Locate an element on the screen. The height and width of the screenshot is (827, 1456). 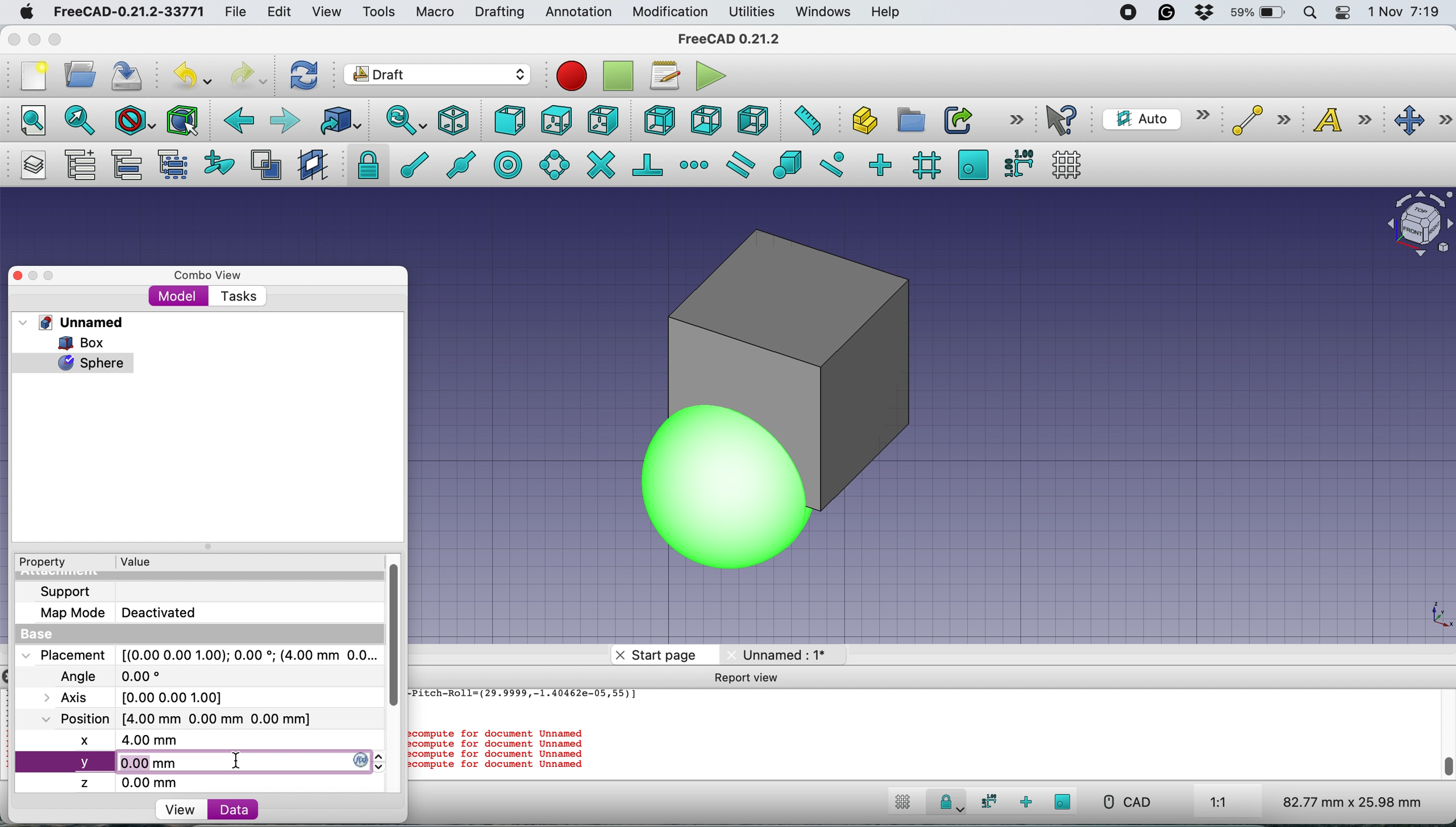
y axis changer is located at coordinates (363, 759).